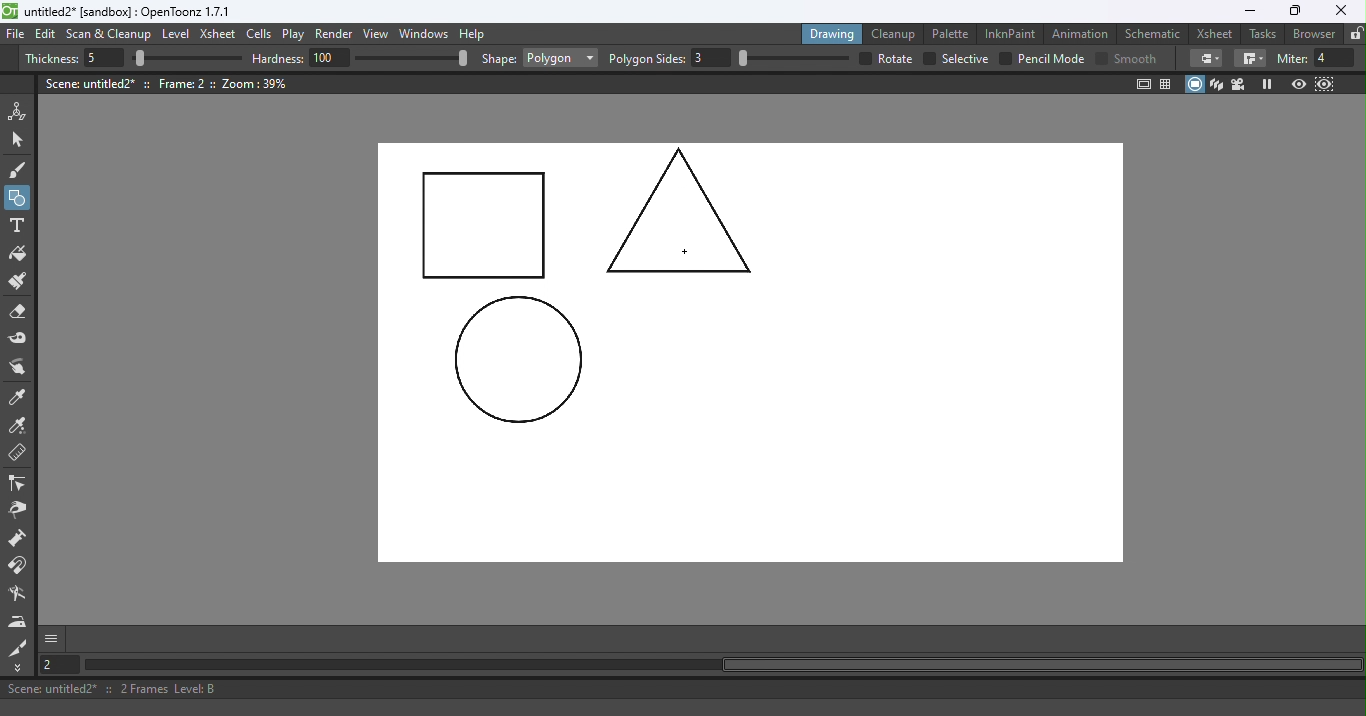 This screenshot has height=716, width=1366. What do you see at coordinates (683, 689) in the screenshot?
I see `Status bar` at bounding box center [683, 689].